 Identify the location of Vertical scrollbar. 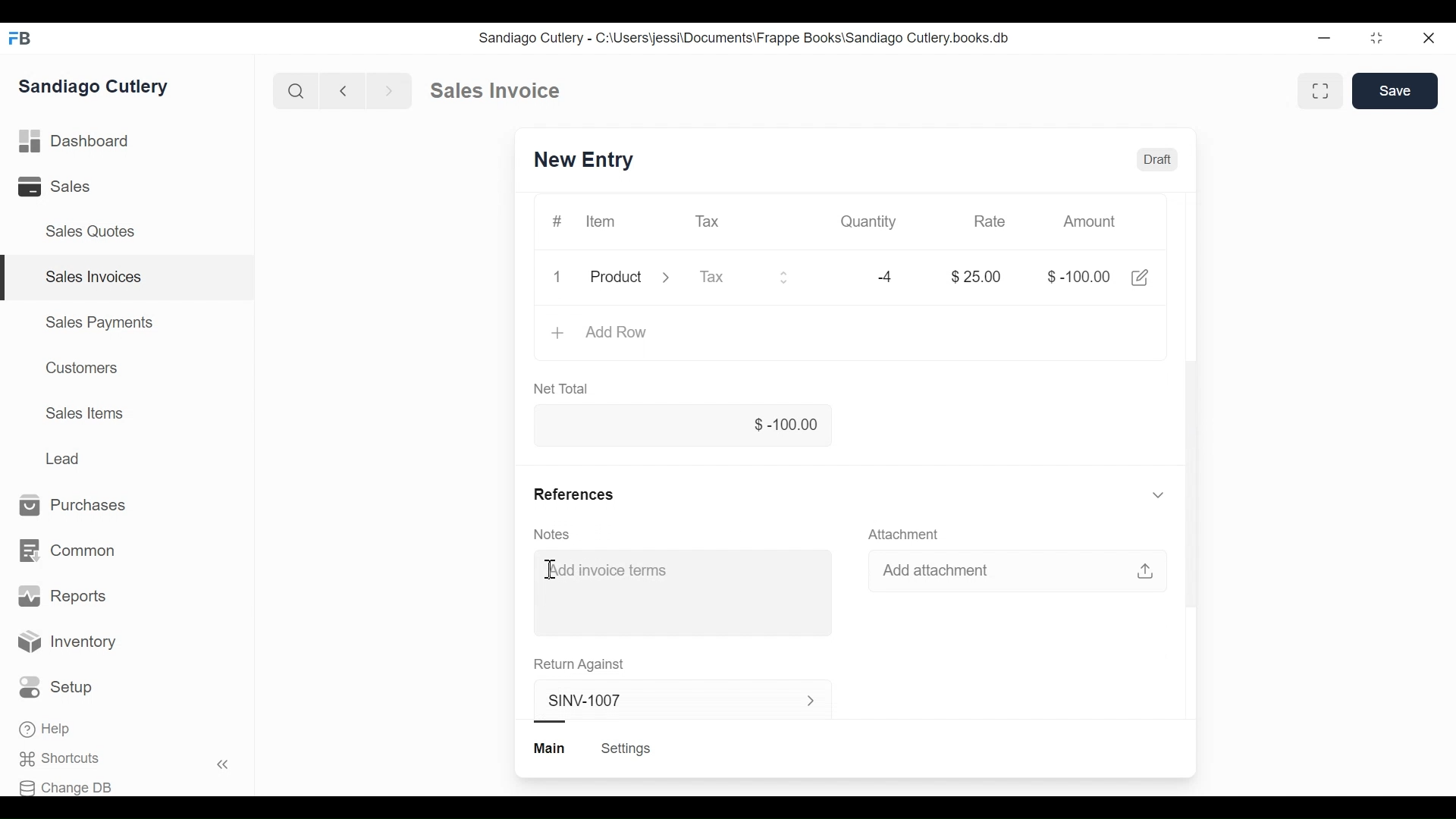
(1194, 482).